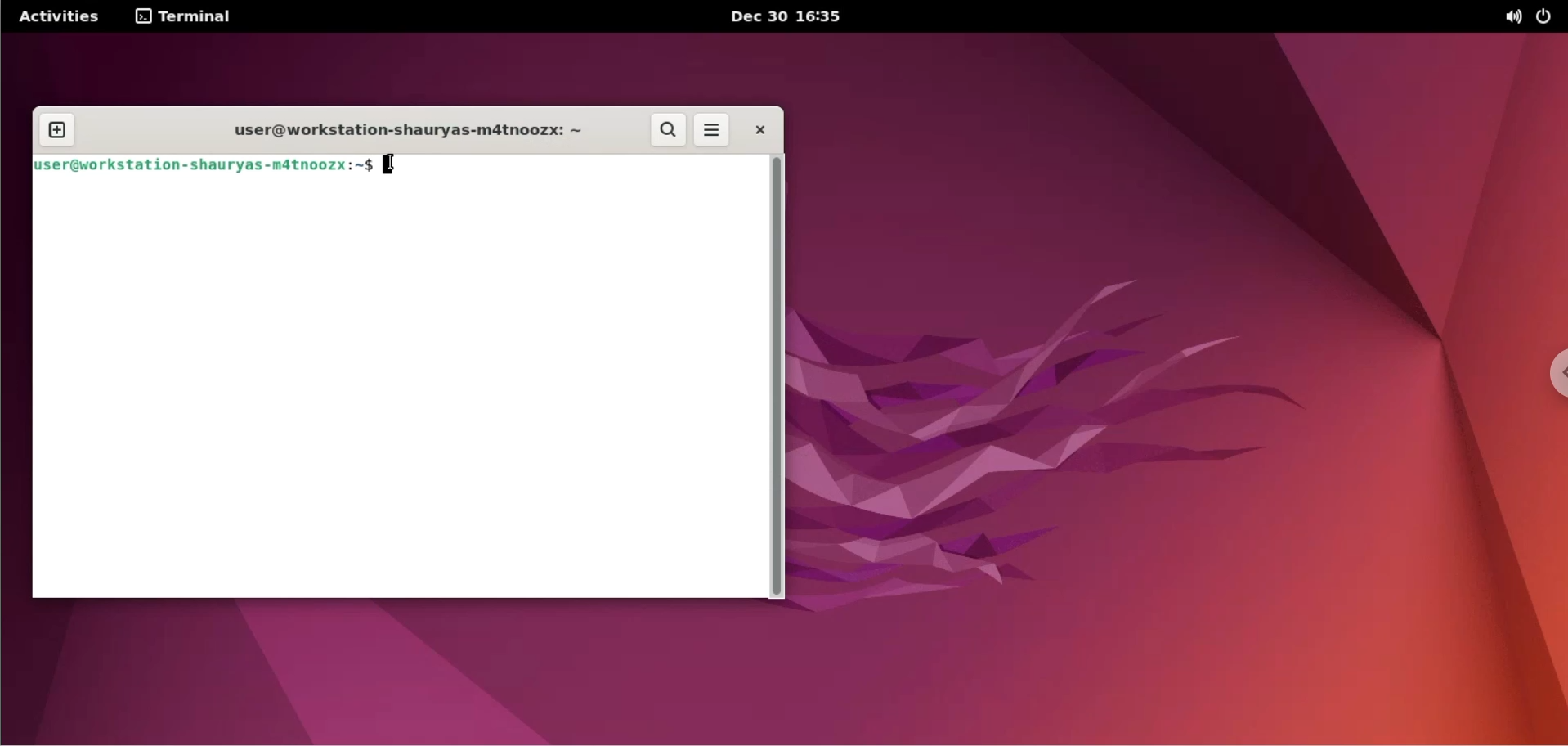 Image resolution: width=1568 pixels, height=746 pixels. Describe the element at coordinates (788, 16) in the screenshot. I see `Dec 30 16:35` at that location.